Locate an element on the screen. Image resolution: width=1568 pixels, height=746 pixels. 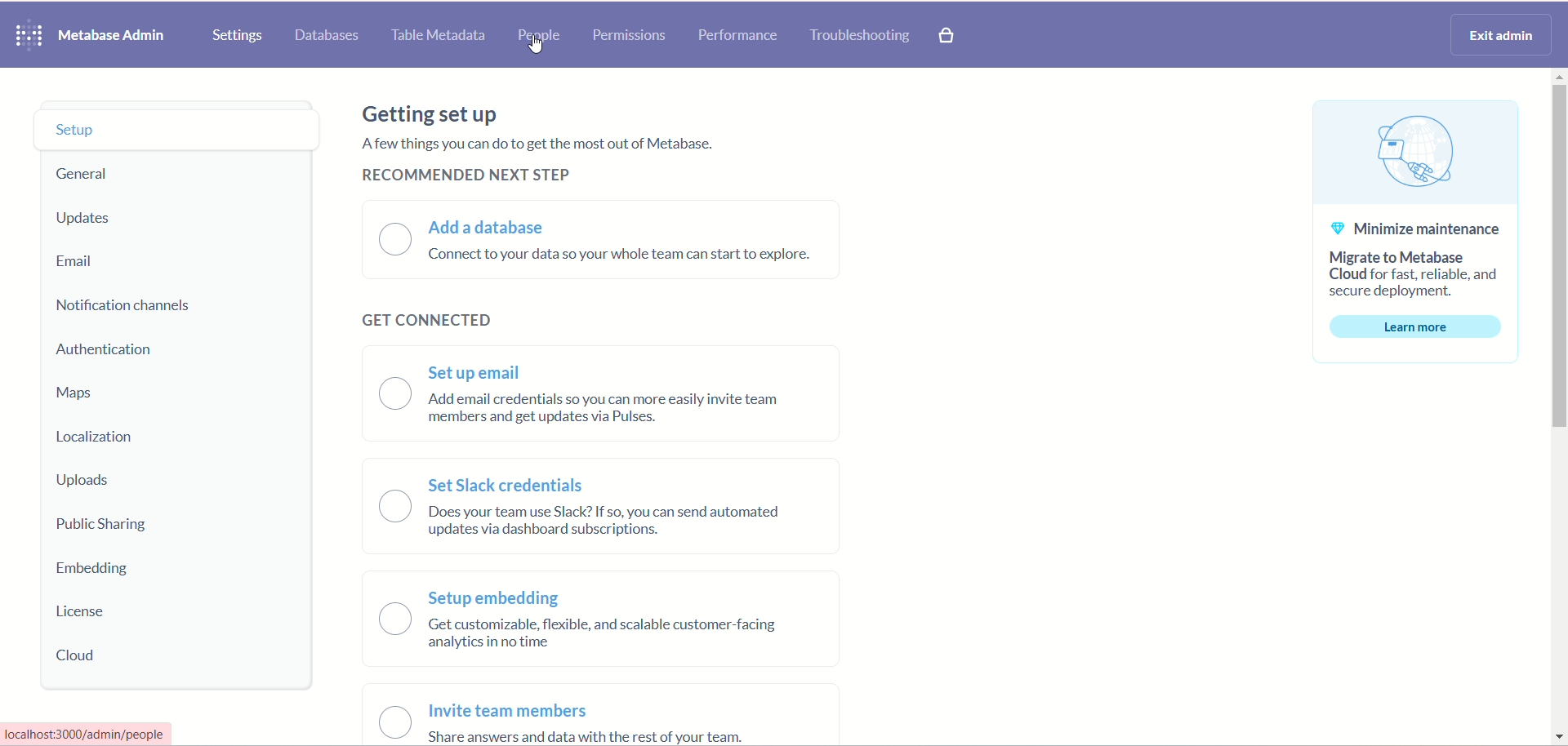
cursor is located at coordinates (536, 46).